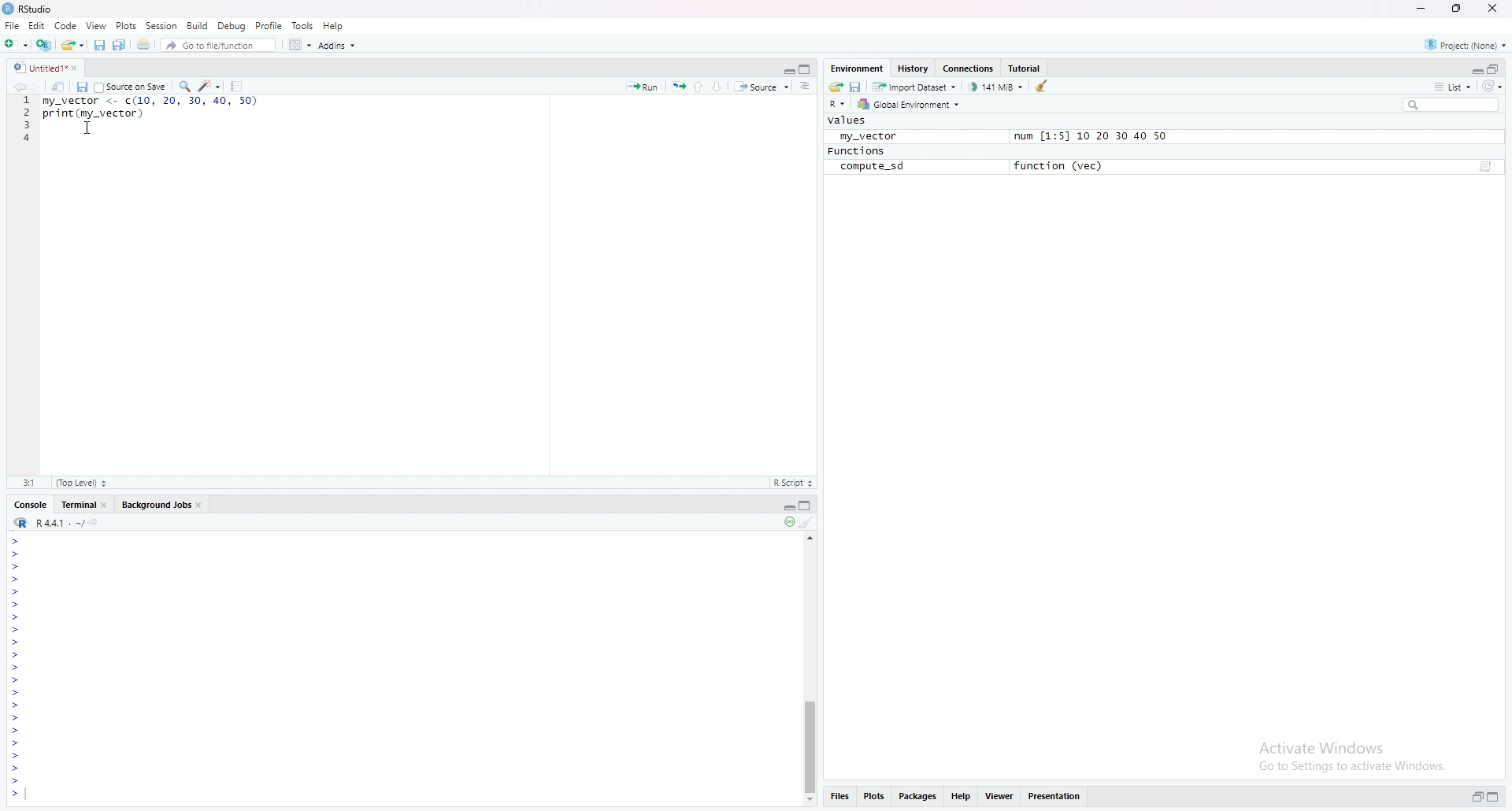 The image size is (1512, 811). What do you see at coordinates (785, 506) in the screenshot?
I see `Minimize` at bounding box center [785, 506].